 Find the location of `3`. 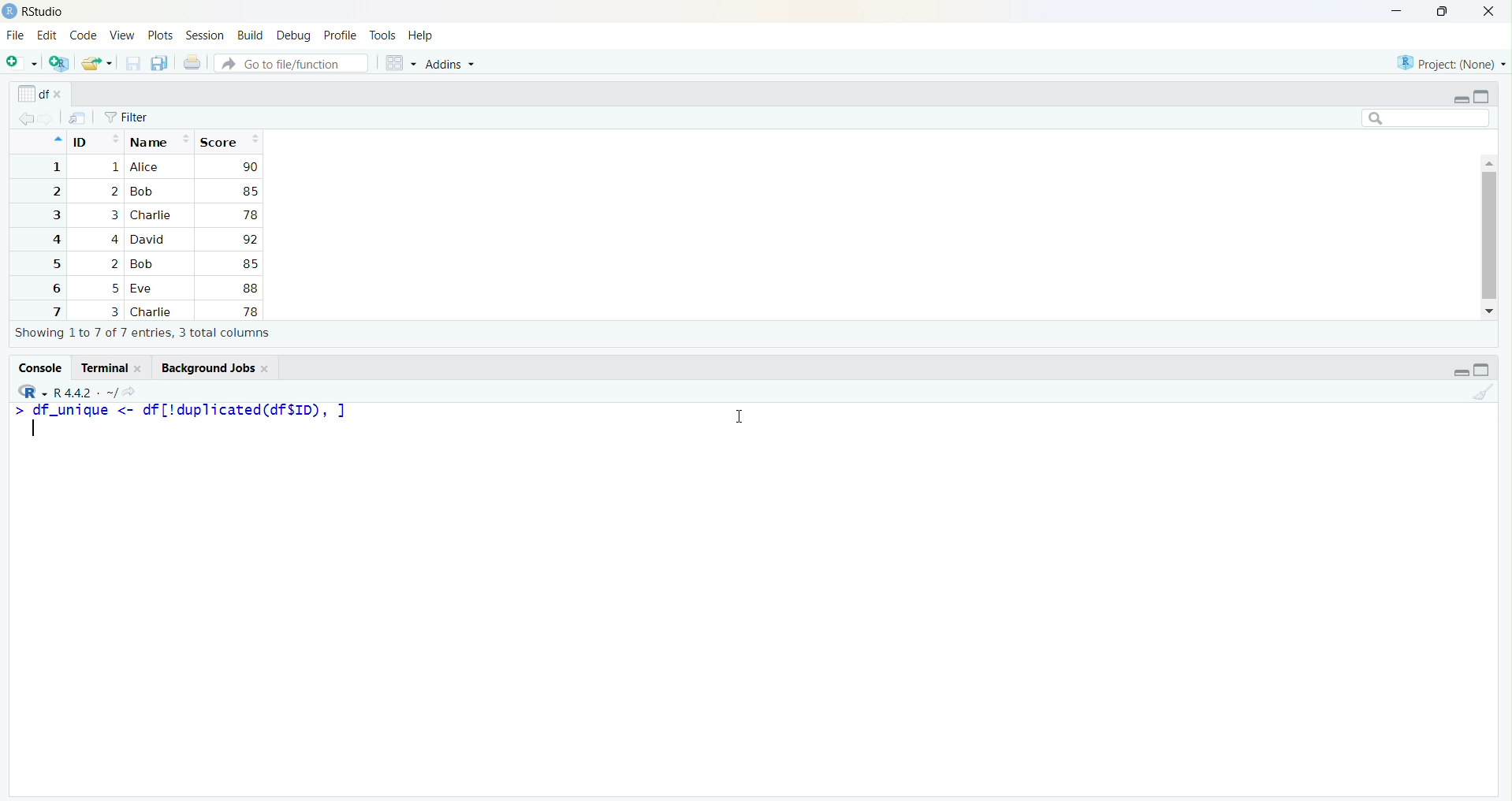

3 is located at coordinates (114, 311).